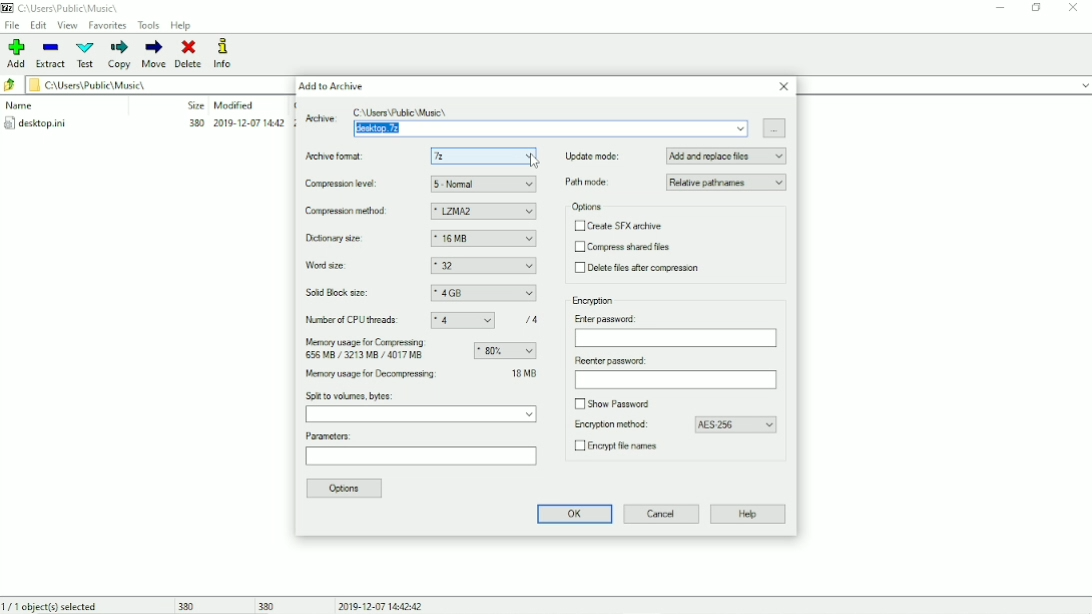  I want to click on Compression method, so click(421, 212).